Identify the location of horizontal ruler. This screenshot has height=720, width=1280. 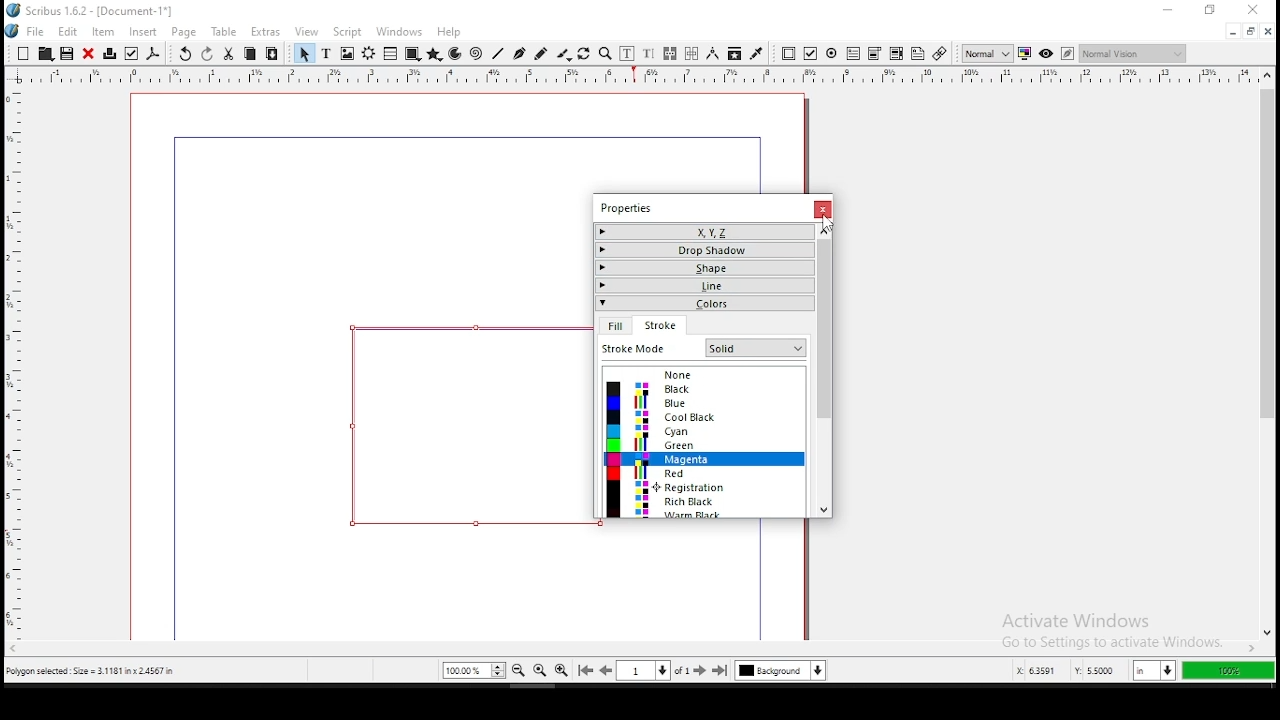
(14, 355).